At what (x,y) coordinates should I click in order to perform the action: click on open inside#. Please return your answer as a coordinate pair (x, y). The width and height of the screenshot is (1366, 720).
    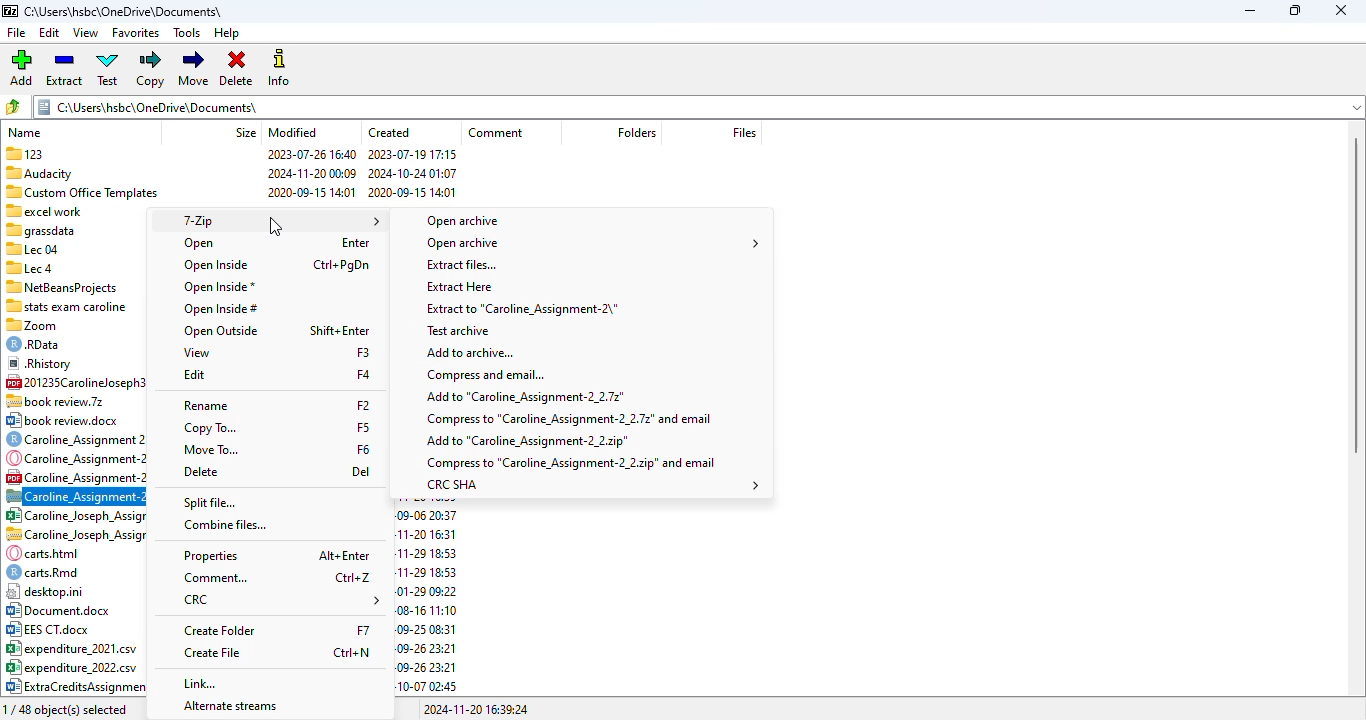
    Looking at the image, I should click on (219, 309).